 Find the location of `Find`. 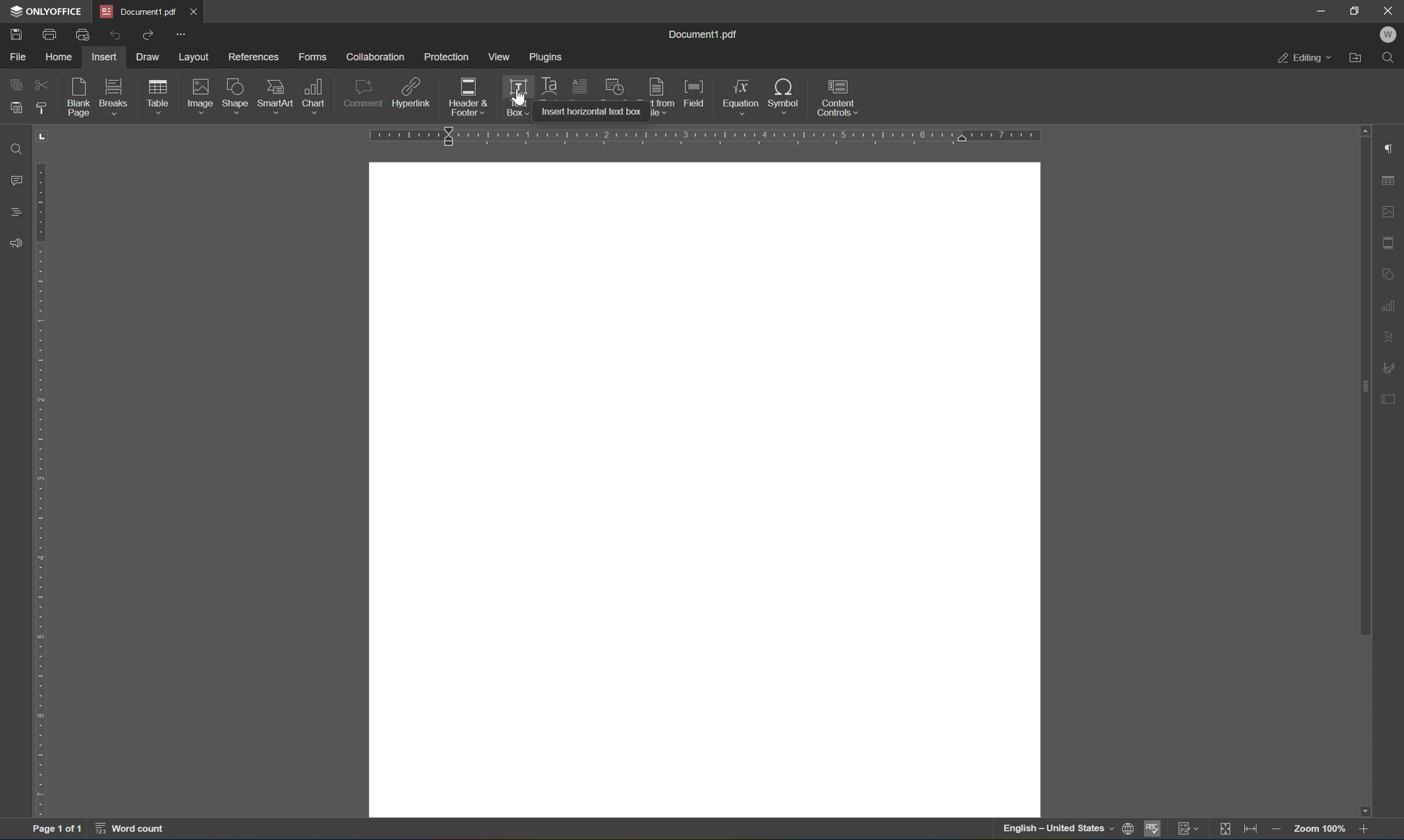

Find is located at coordinates (18, 150).